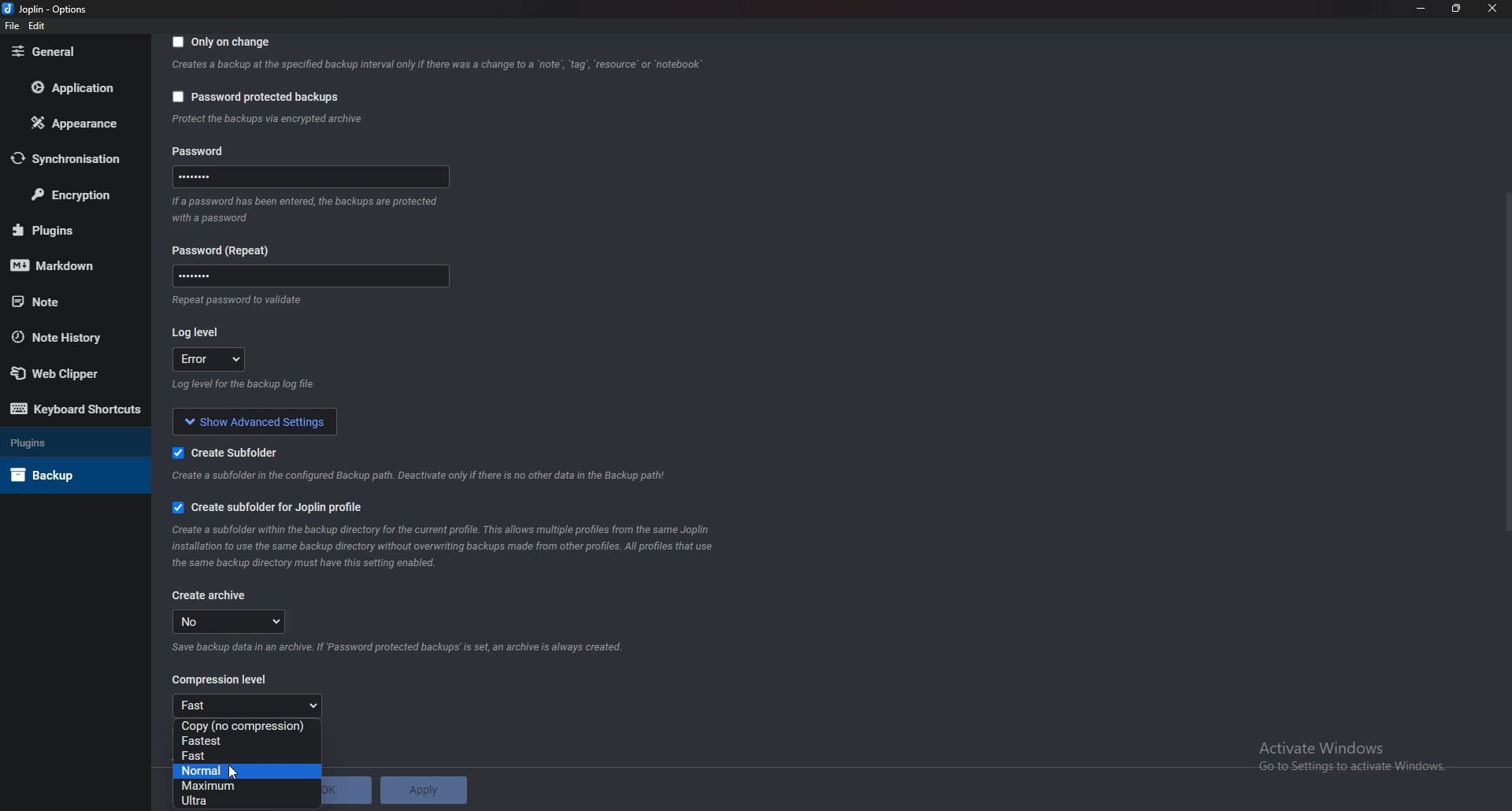 The image size is (1512, 811). I want to click on info, so click(267, 120).